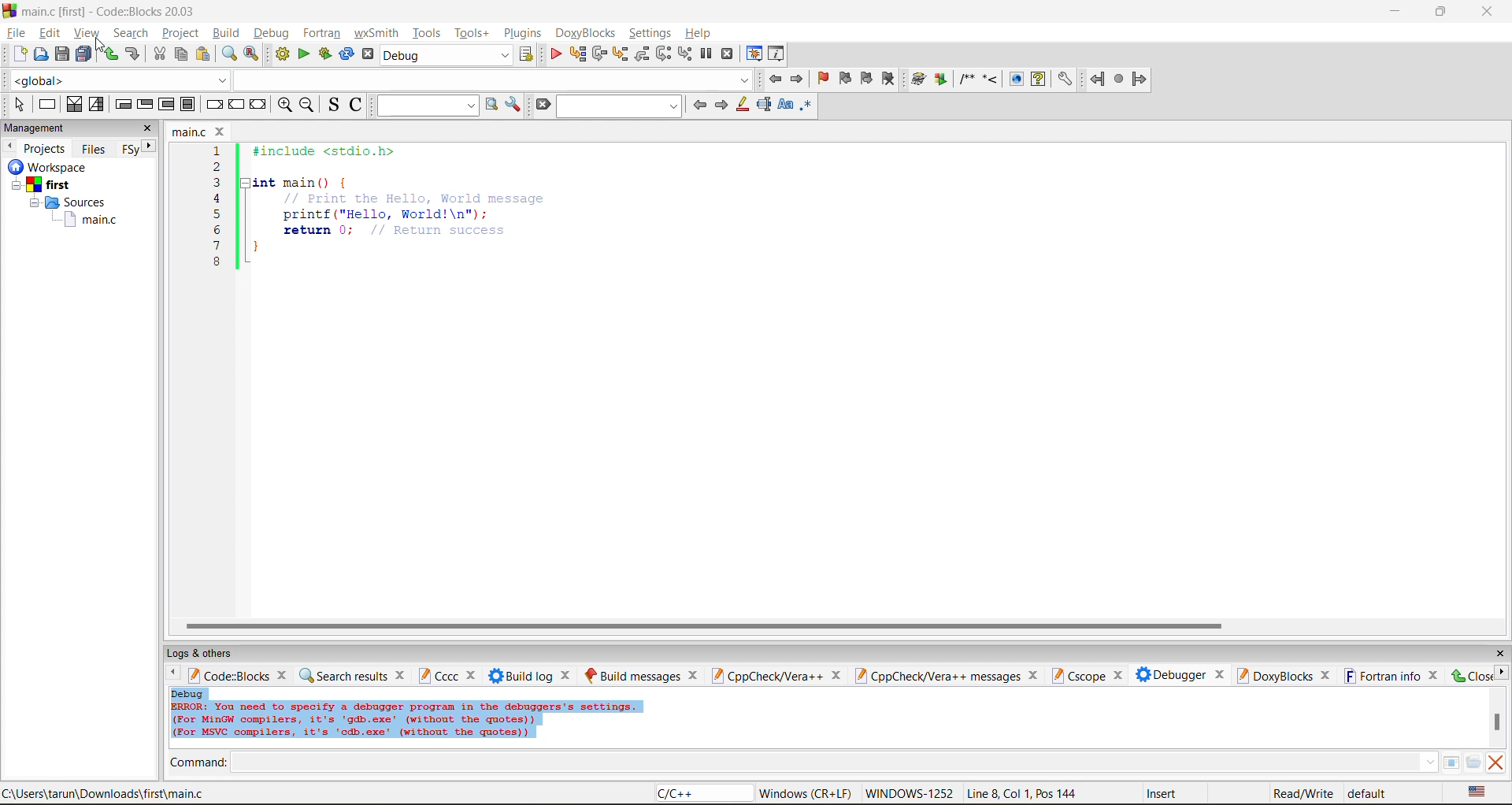 The width and height of the screenshot is (1512, 805). I want to click on Insert comment block, so click(965, 78).